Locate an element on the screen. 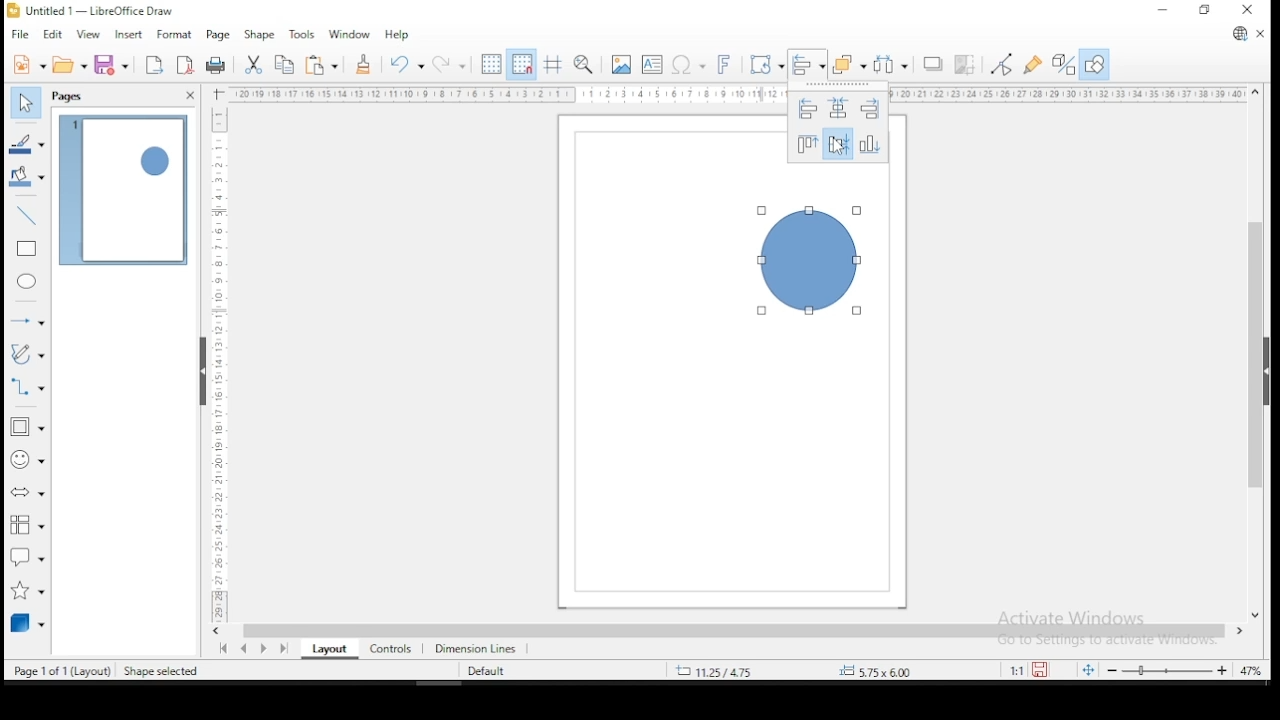  callout shapes is located at coordinates (28, 556).